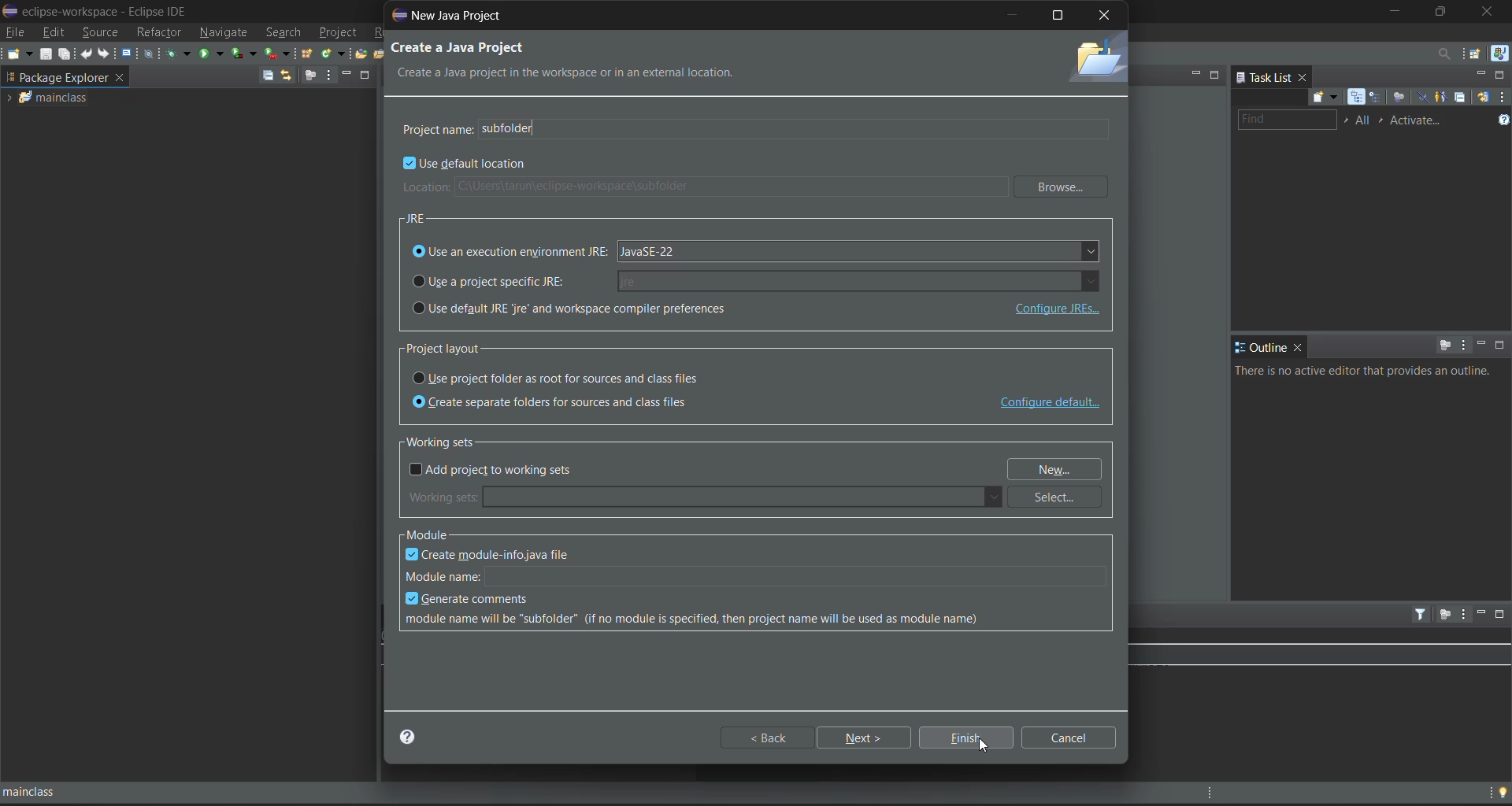  I want to click on select active task, so click(1384, 121).